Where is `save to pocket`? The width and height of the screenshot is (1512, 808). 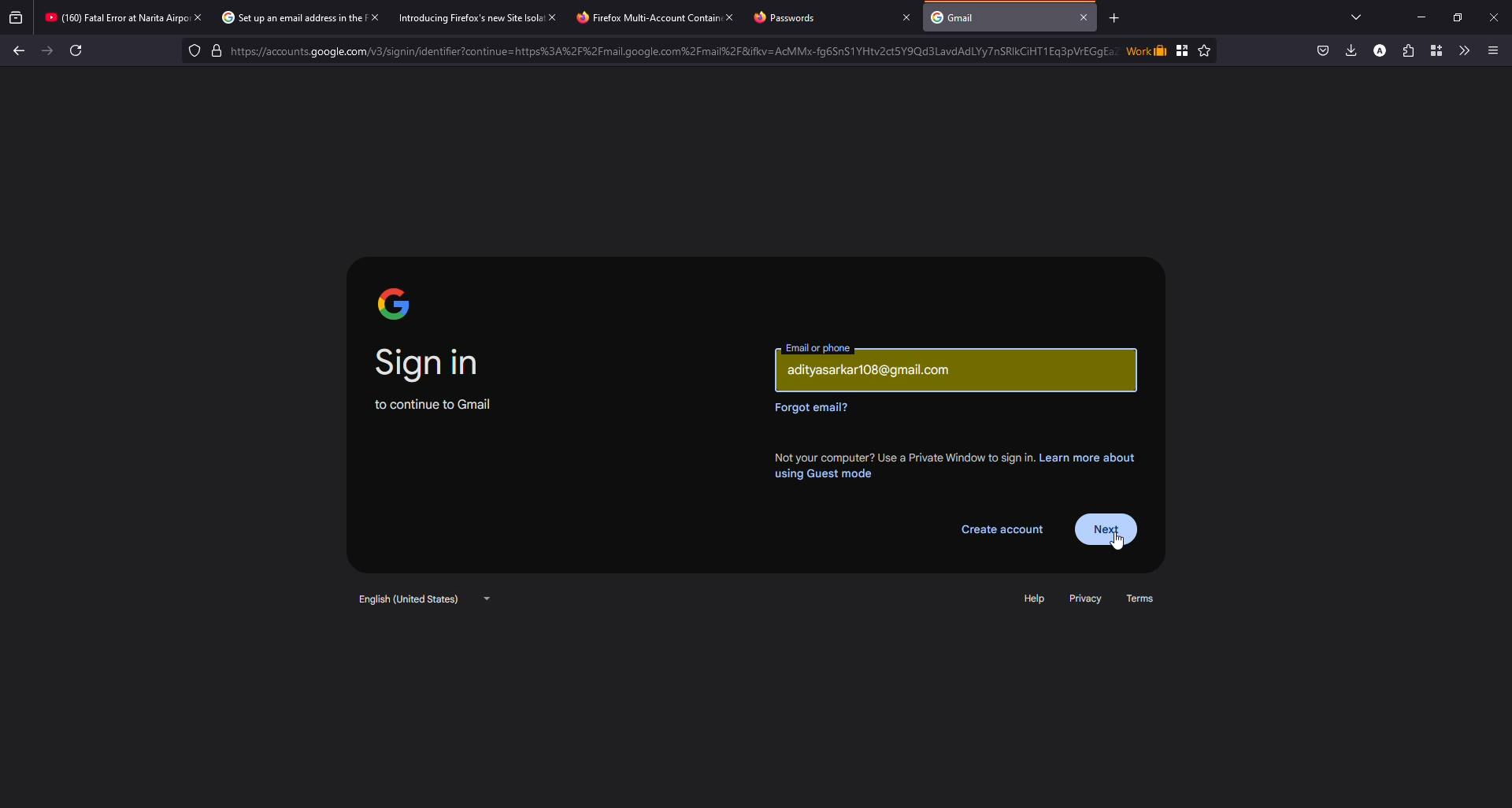 save to pocket is located at coordinates (1321, 50).